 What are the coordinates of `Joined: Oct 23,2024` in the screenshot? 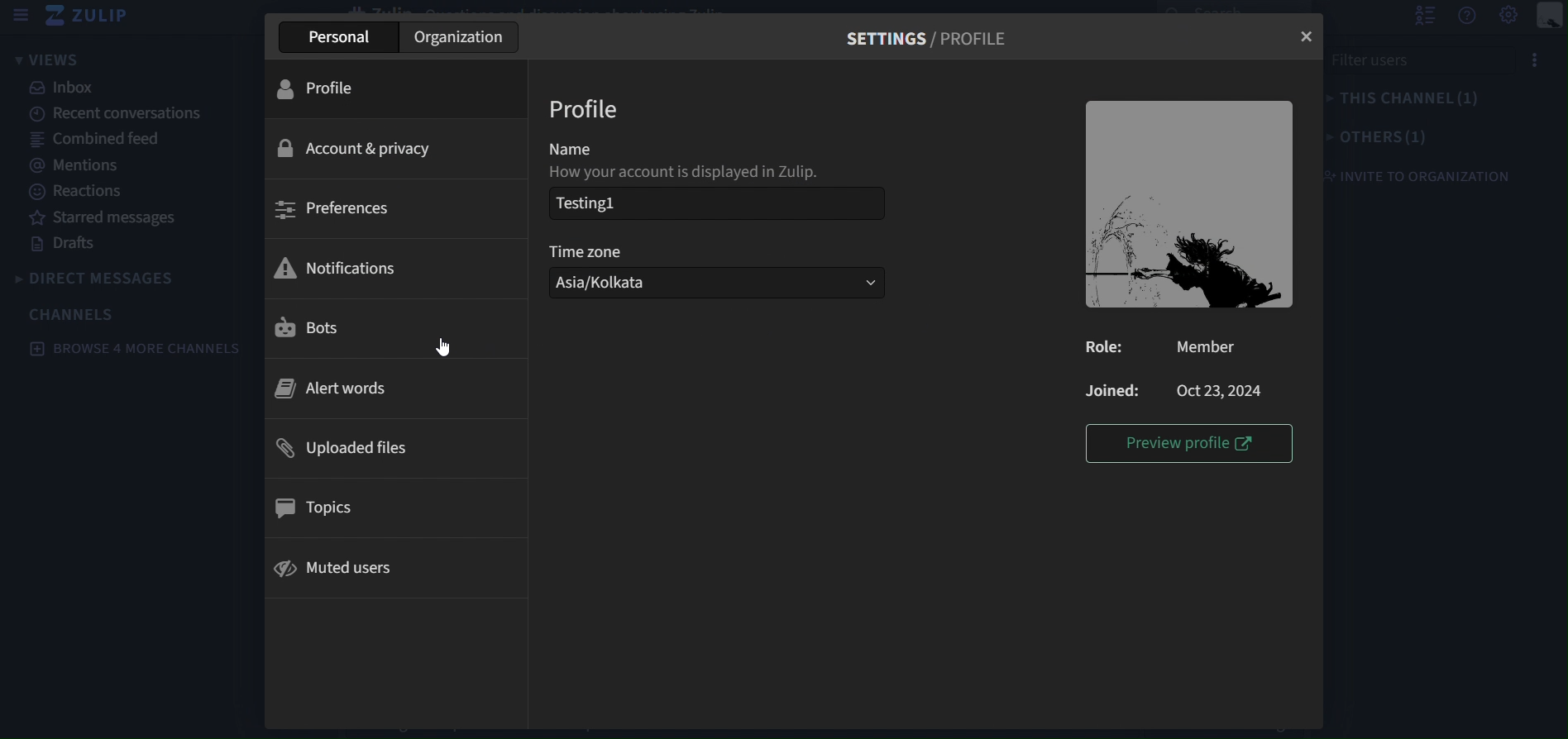 It's located at (1185, 390).